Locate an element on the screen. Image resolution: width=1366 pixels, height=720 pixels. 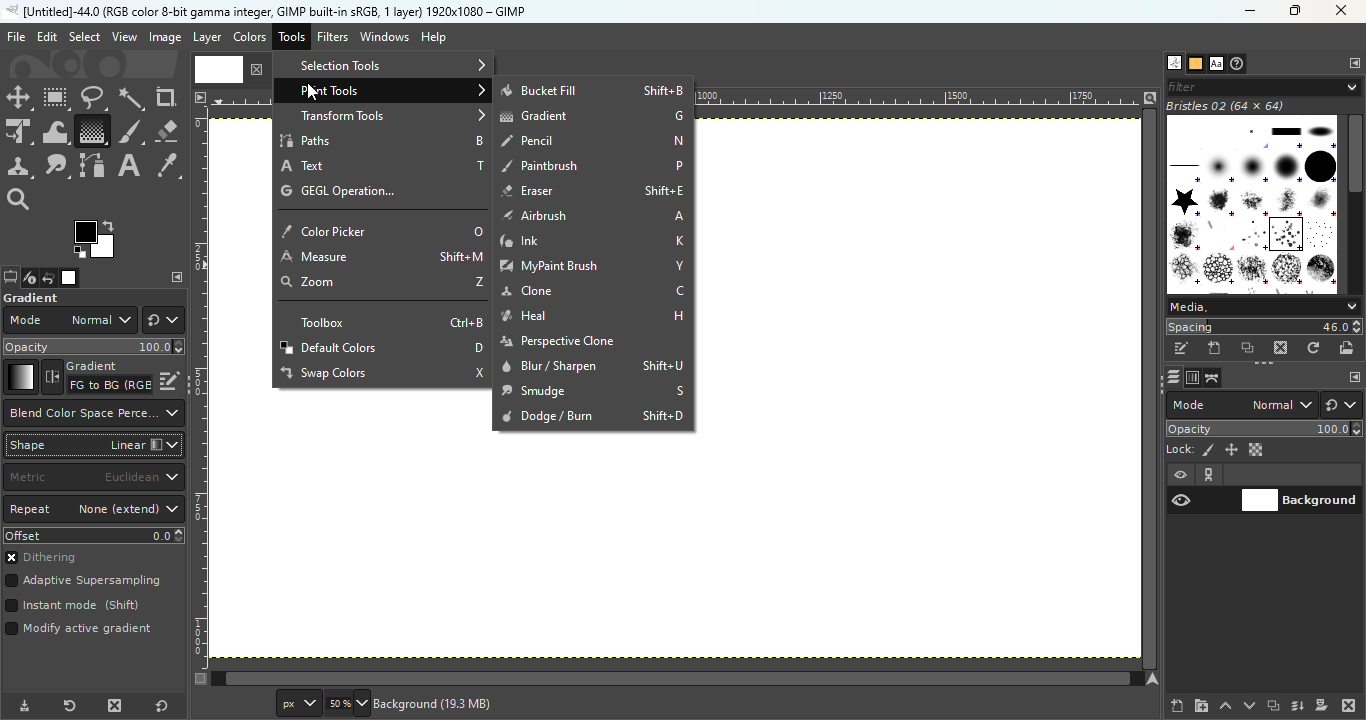
Open the image dialog is located at coordinates (67, 278).